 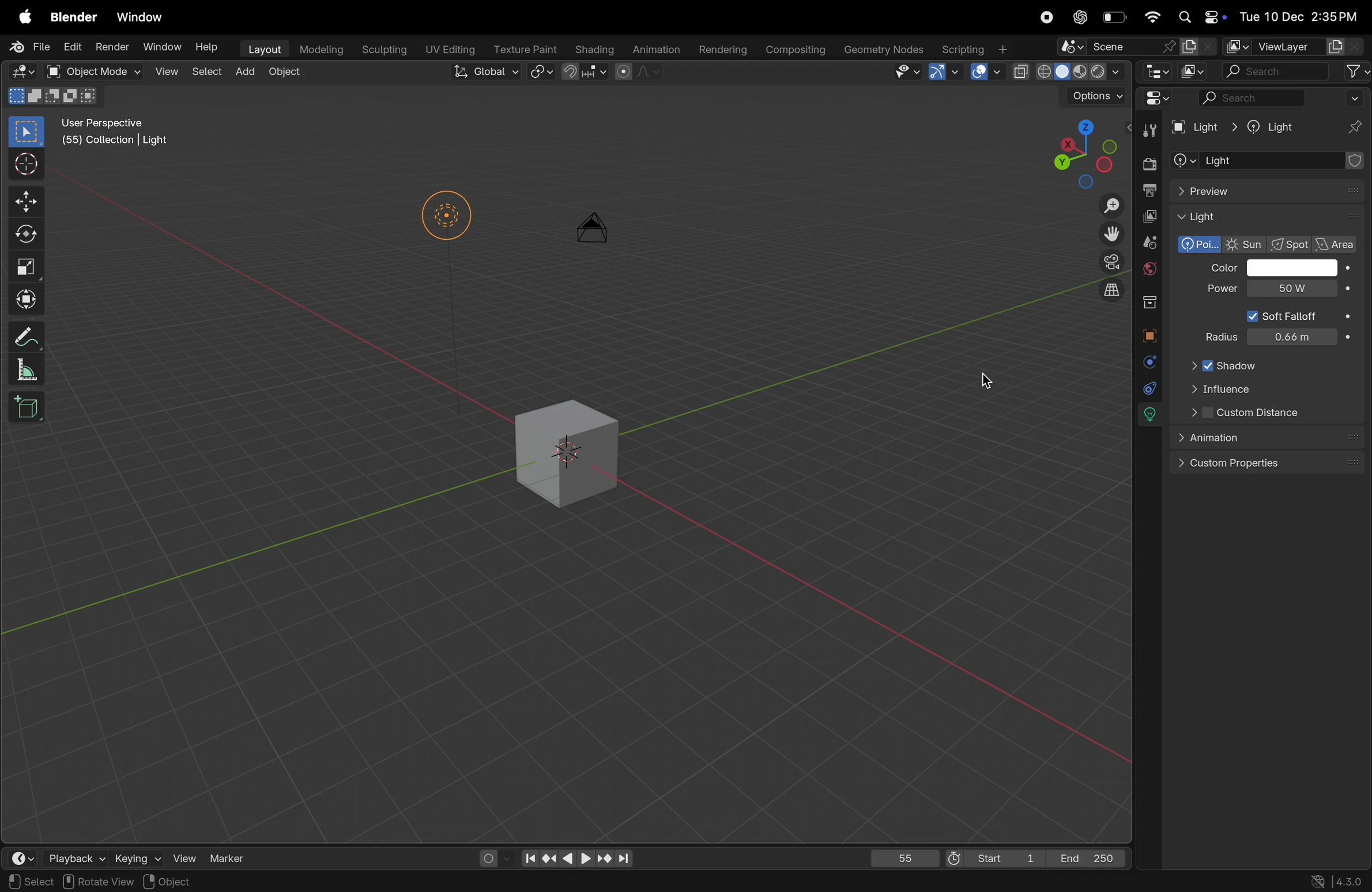 I want to click on add object contrastaint, so click(x=1266, y=161).